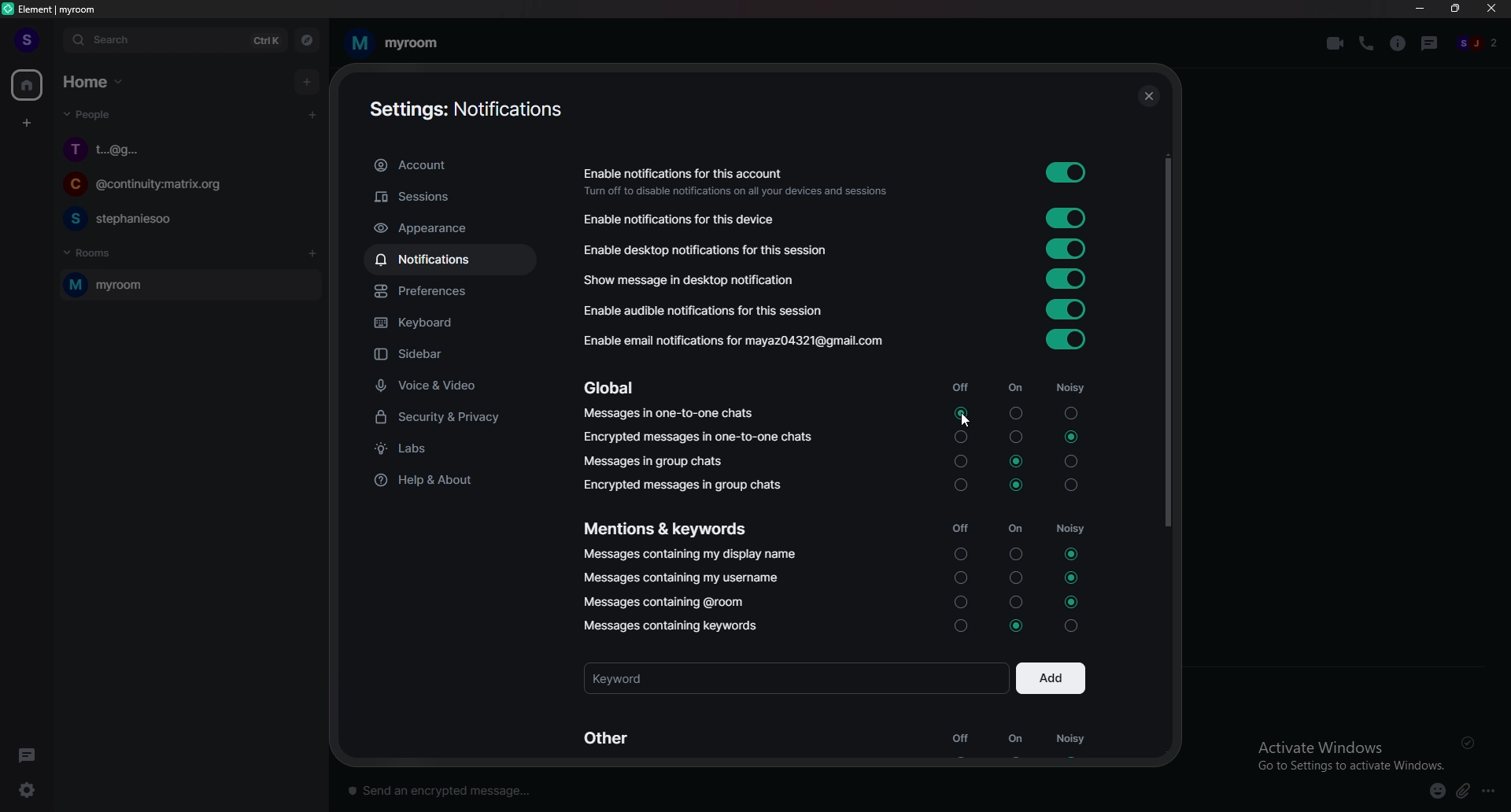 This screenshot has width=1511, height=812. I want to click on chat, so click(182, 150).